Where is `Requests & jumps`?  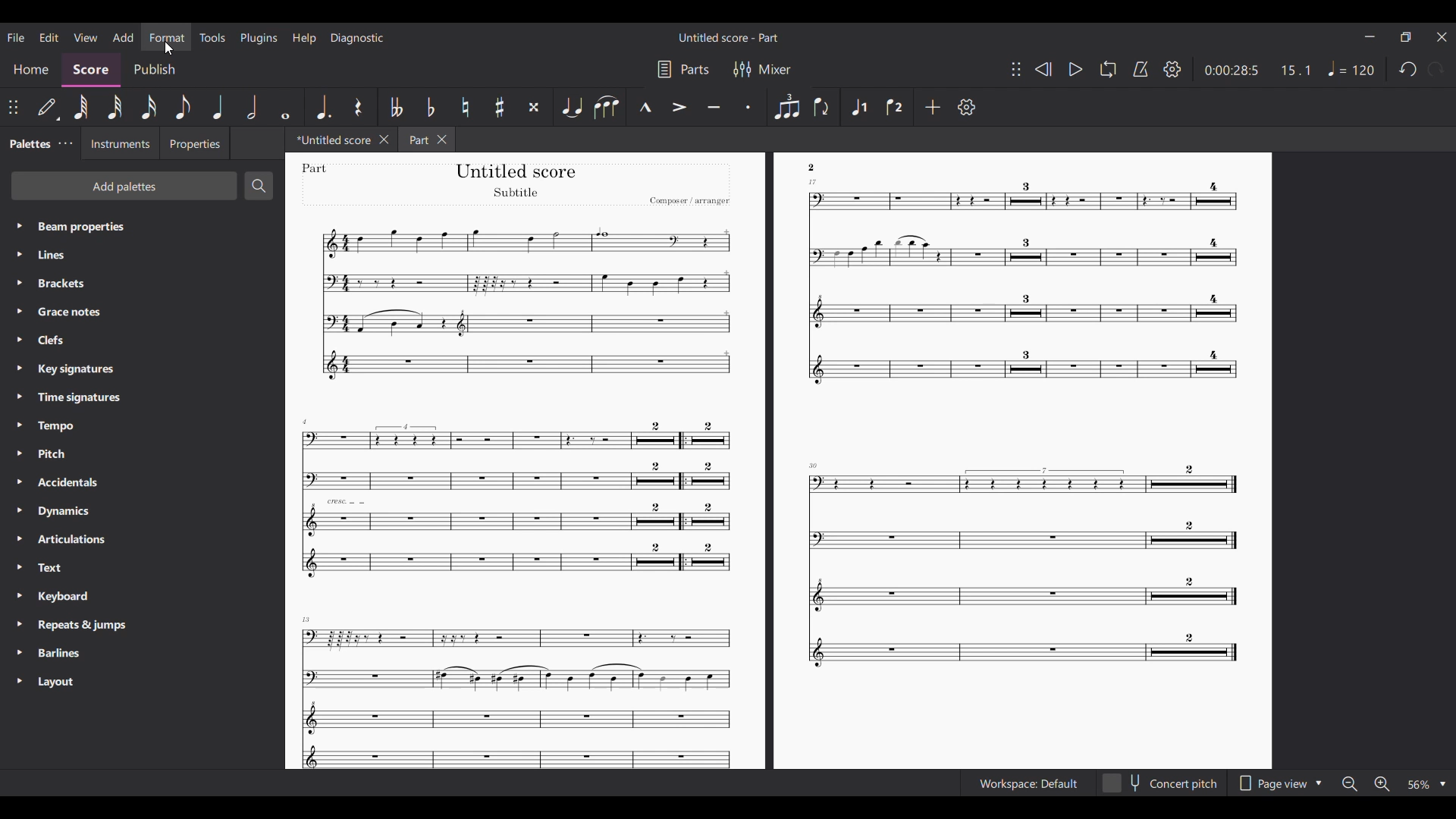
Requests & jumps is located at coordinates (70, 625).